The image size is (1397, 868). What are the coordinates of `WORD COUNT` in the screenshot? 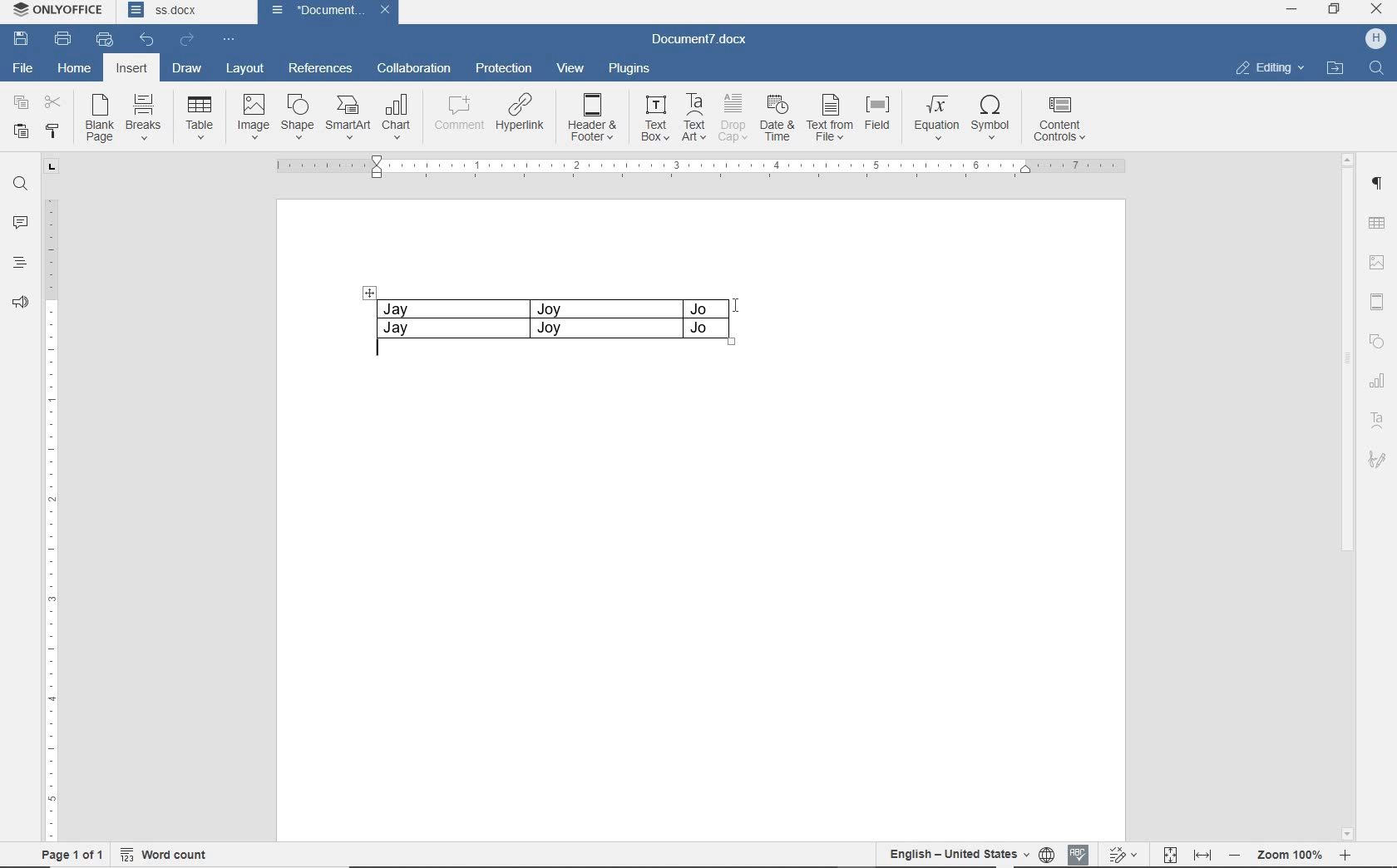 It's located at (167, 852).